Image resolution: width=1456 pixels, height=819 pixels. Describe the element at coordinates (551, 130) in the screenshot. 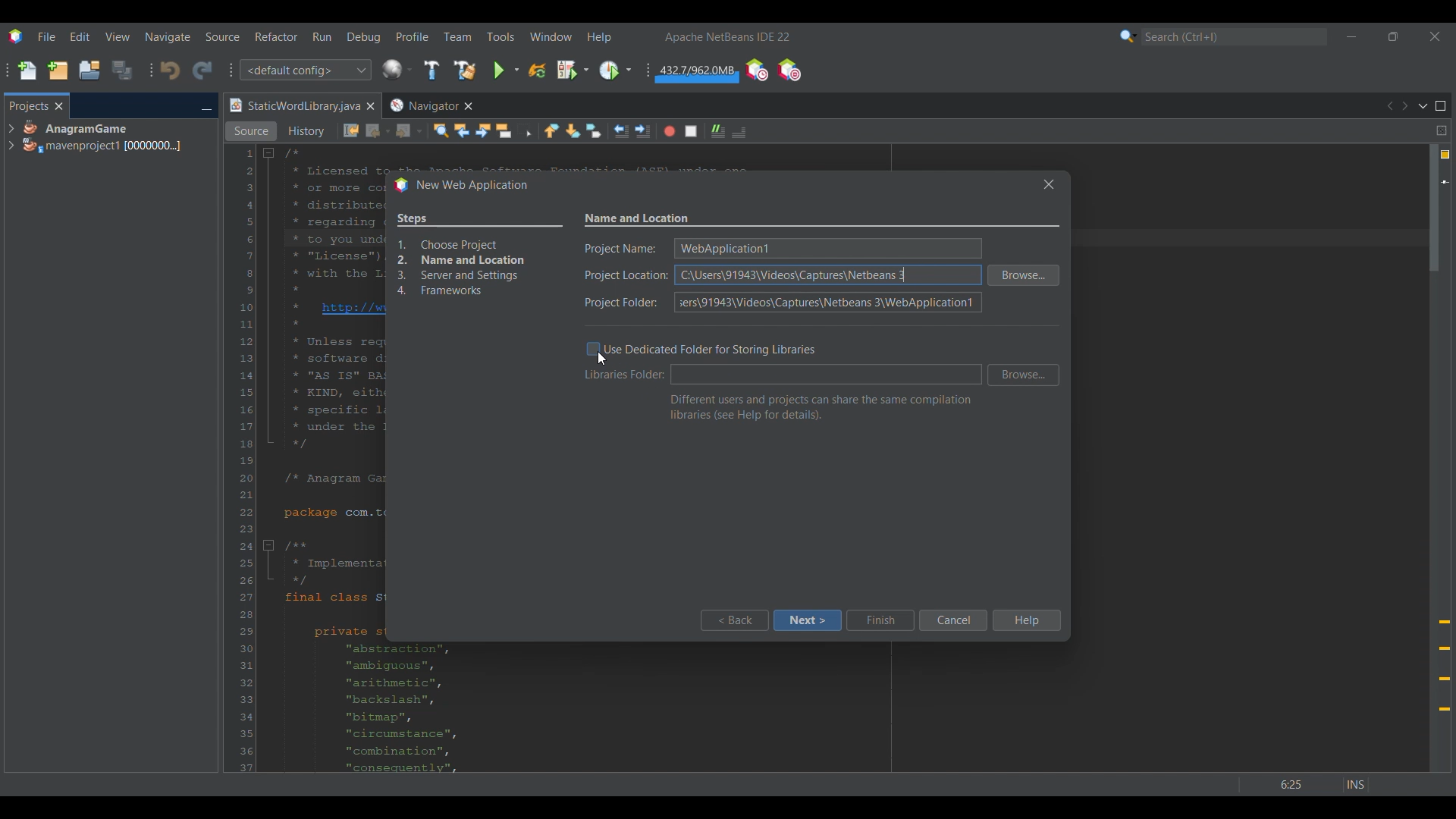

I see `Previous bookmark` at that location.